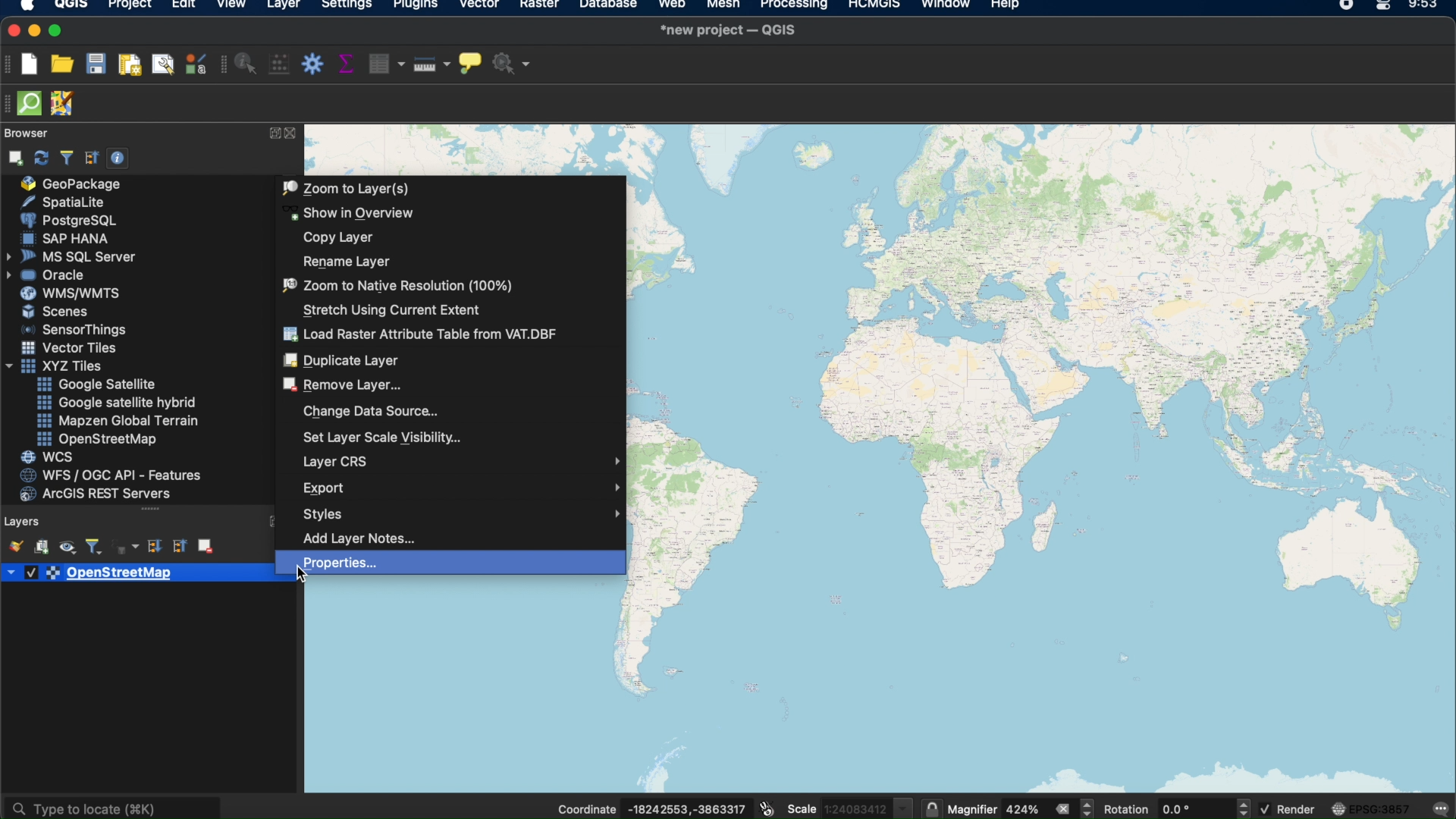 The image size is (1456, 819). I want to click on spatiallite, so click(75, 202).